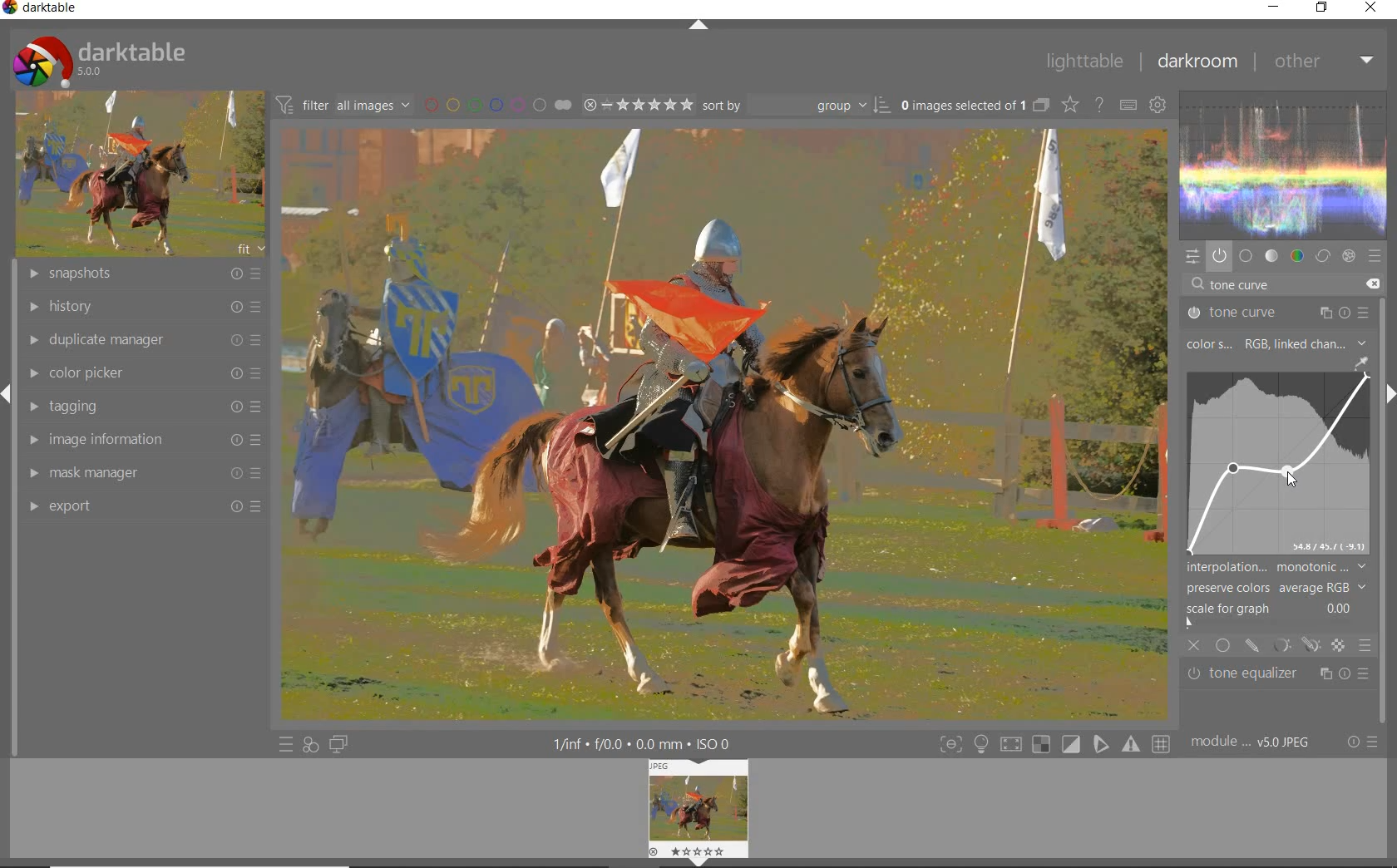 This screenshot has width=1397, height=868. Describe the element at coordinates (1276, 588) in the screenshot. I see `preserve colors` at that location.